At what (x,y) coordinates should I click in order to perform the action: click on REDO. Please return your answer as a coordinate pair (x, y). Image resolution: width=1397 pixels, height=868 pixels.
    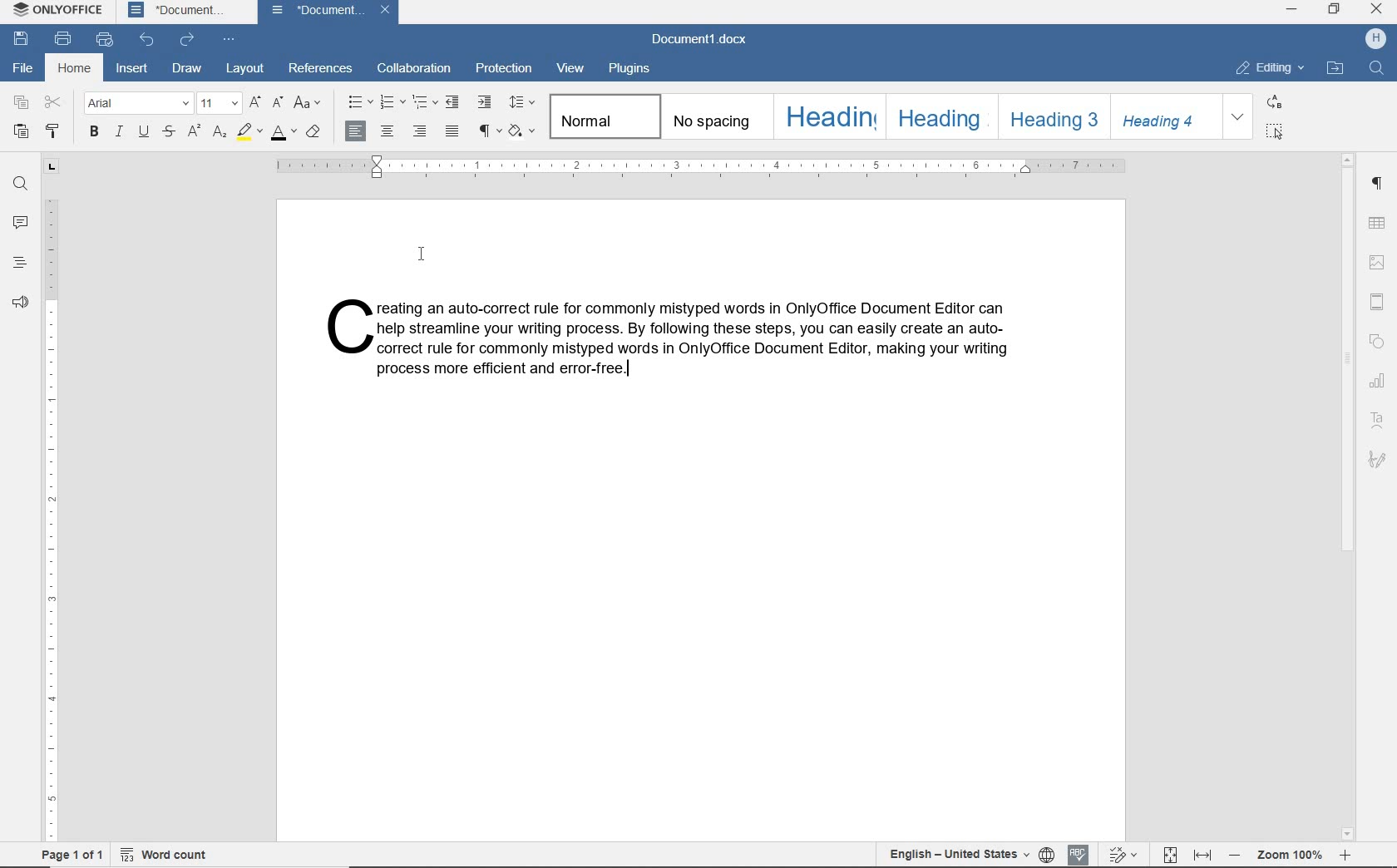
    Looking at the image, I should click on (188, 40).